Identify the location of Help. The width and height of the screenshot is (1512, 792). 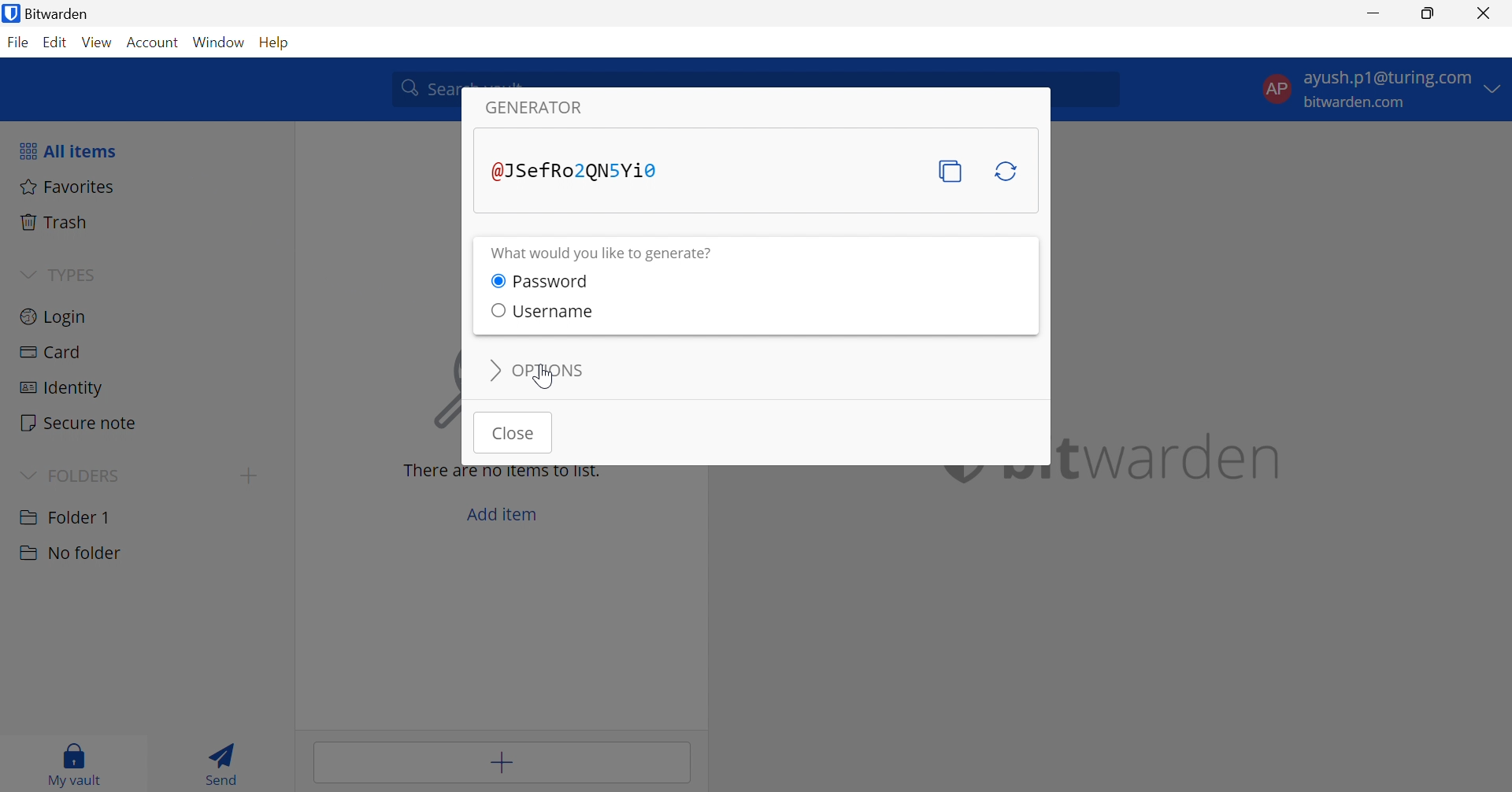
(276, 43).